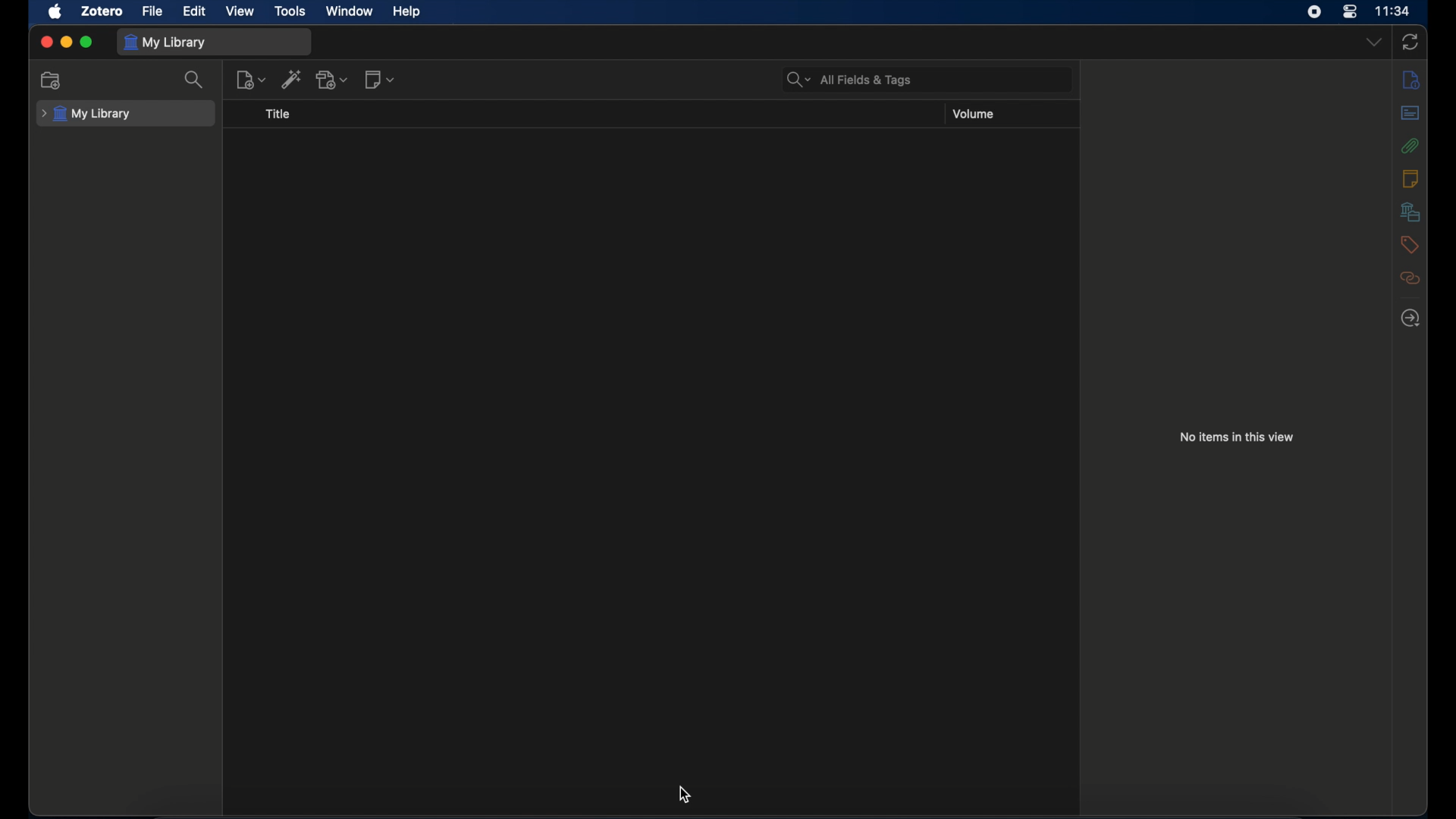 The image size is (1456, 819). Describe the element at coordinates (292, 11) in the screenshot. I see `tools` at that location.